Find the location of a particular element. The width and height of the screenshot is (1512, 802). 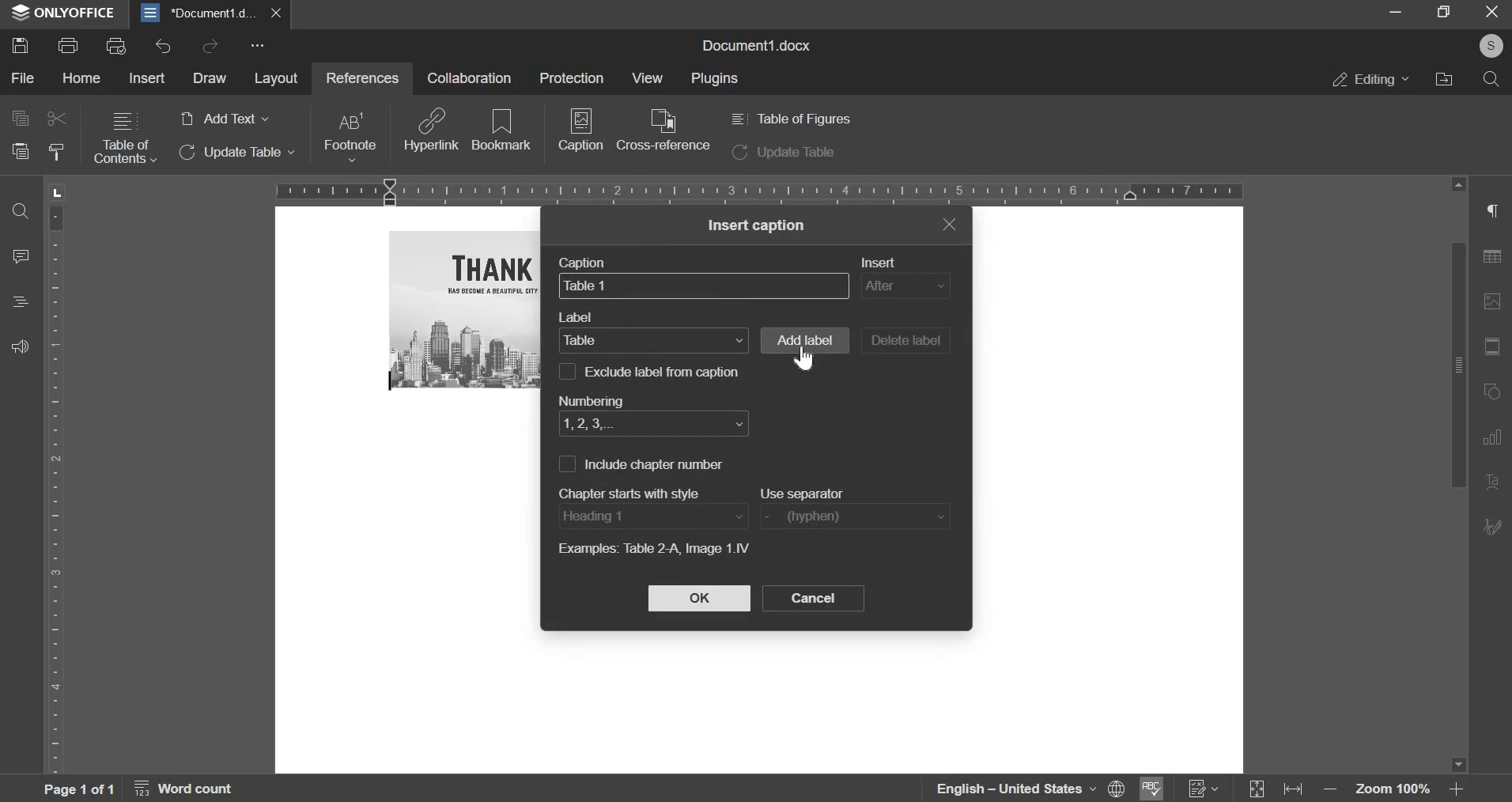

include chapter number is located at coordinates (565, 463).